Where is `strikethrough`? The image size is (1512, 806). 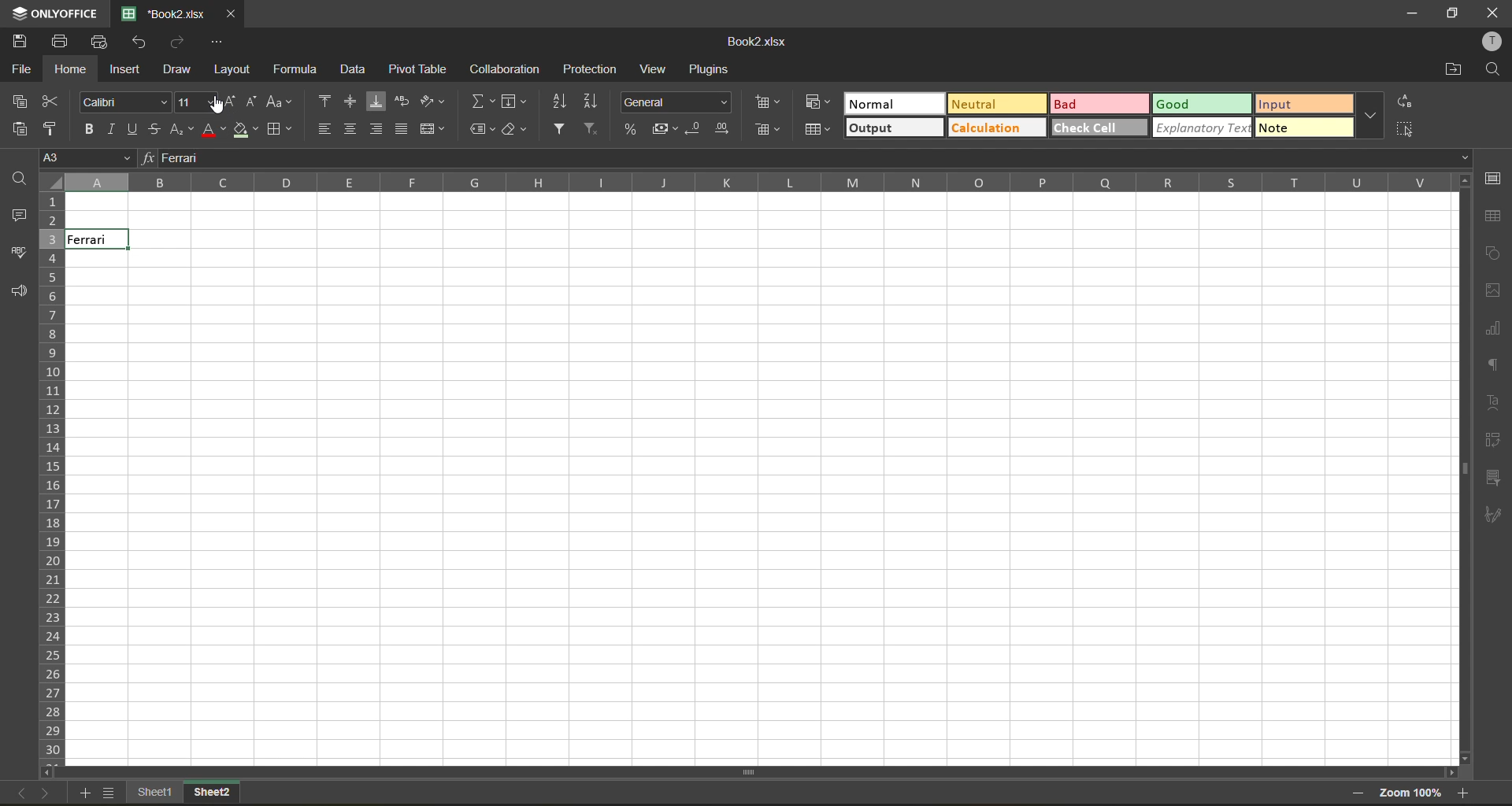 strikethrough is located at coordinates (152, 128).